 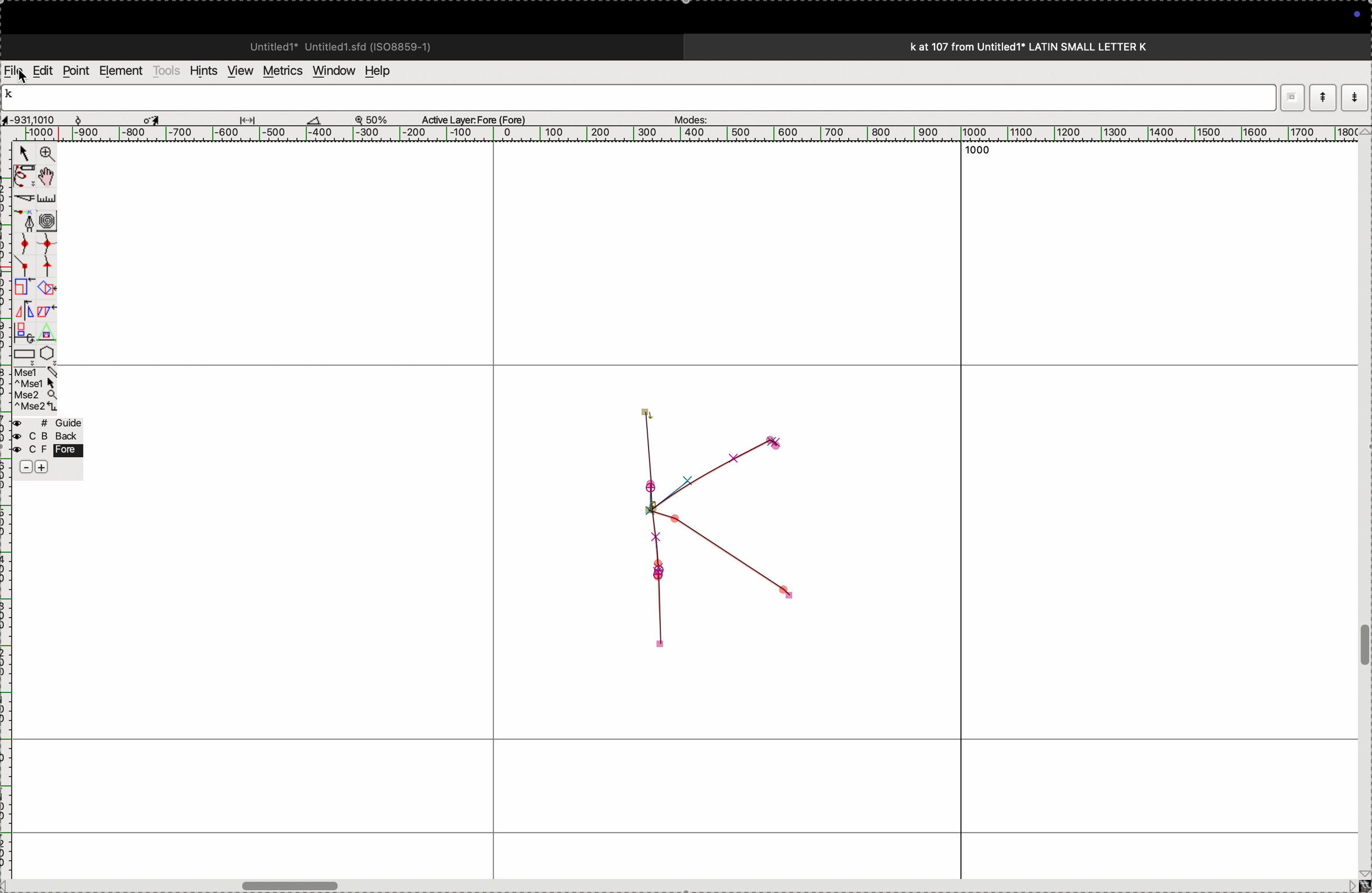 What do you see at coordinates (385, 71) in the screenshot?
I see `help` at bounding box center [385, 71].